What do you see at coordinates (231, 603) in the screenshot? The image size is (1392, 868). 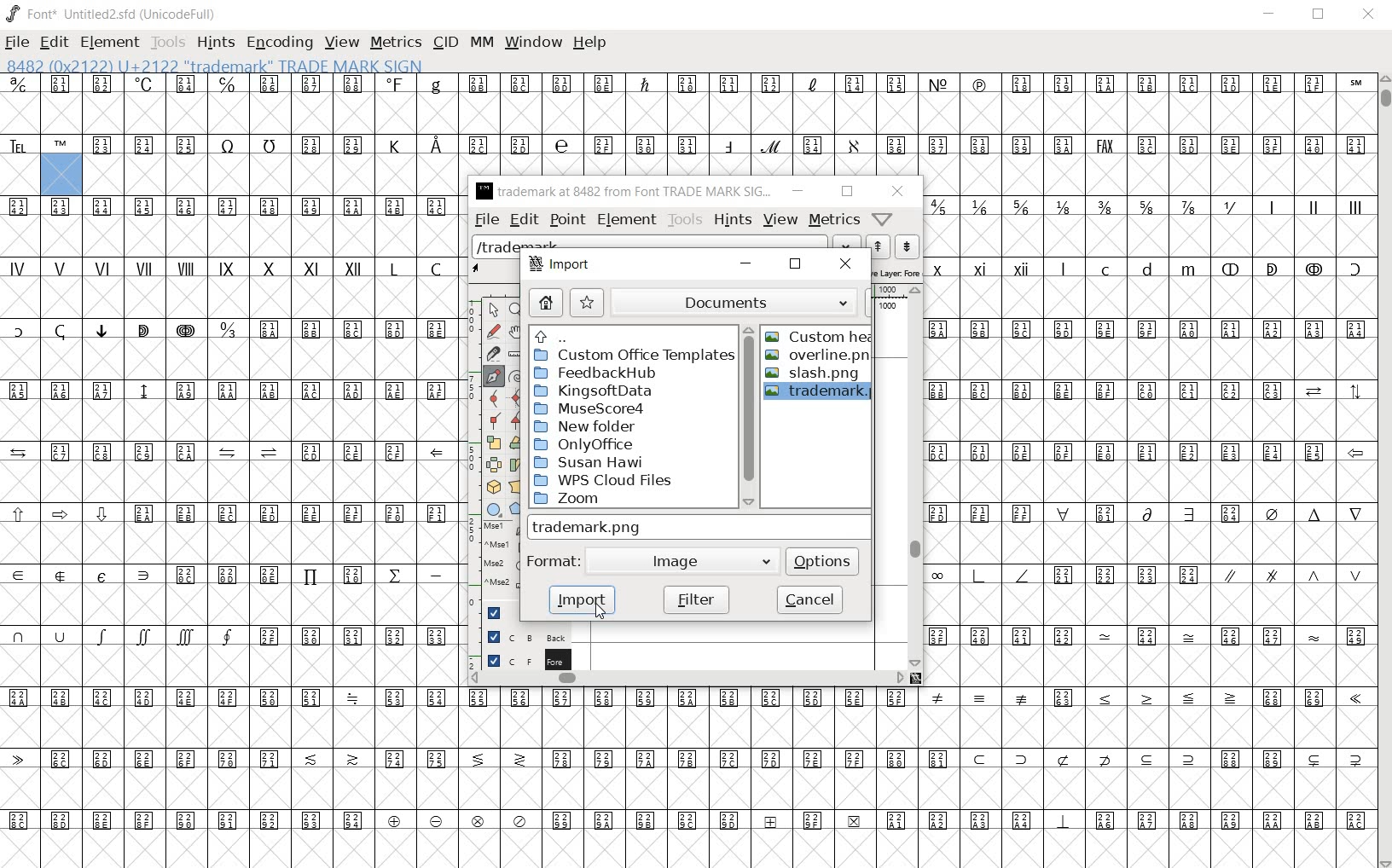 I see `symbols` at bounding box center [231, 603].